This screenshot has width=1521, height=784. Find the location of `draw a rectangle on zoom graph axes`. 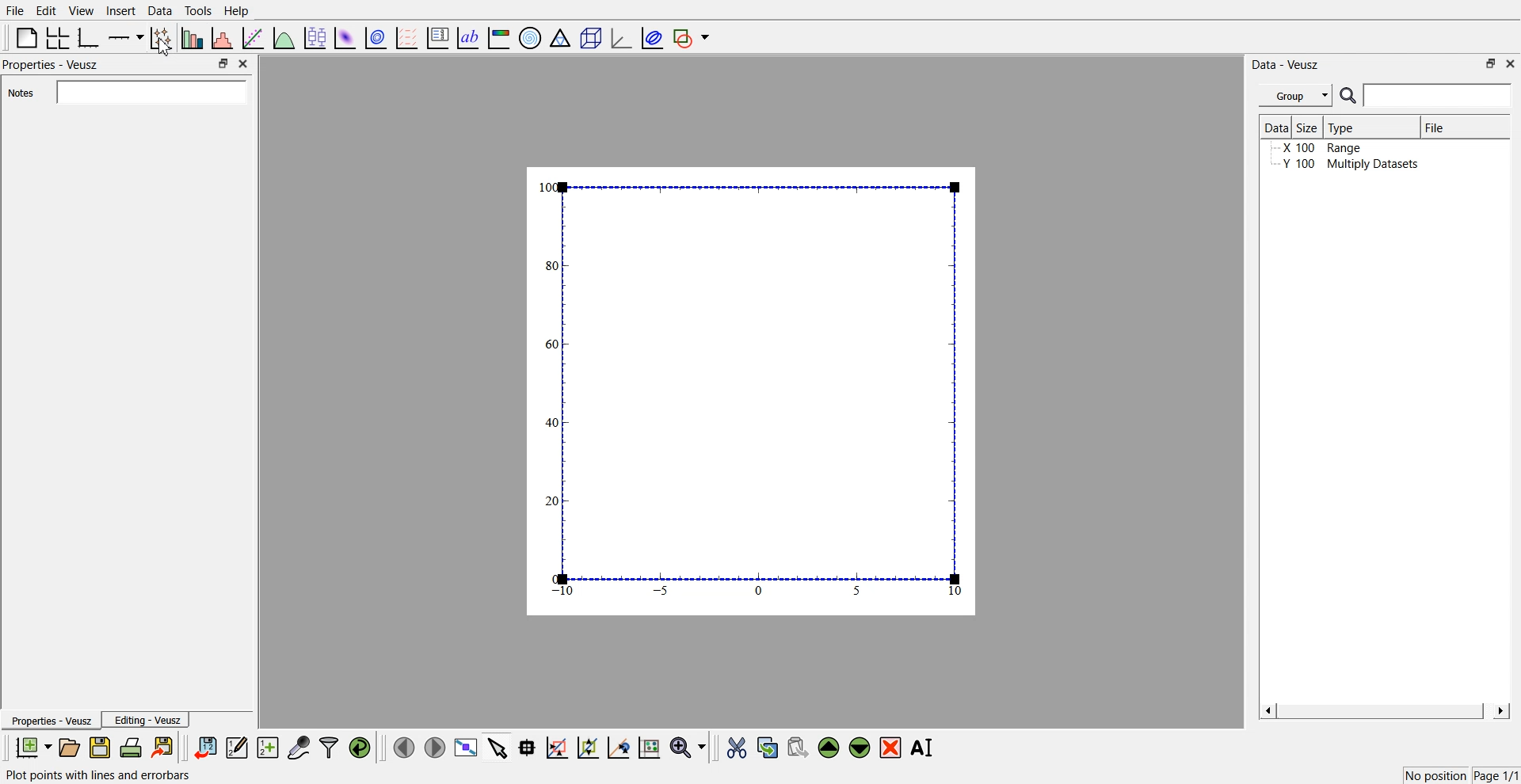

draw a rectangle on zoom graph axes is located at coordinates (556, 746).